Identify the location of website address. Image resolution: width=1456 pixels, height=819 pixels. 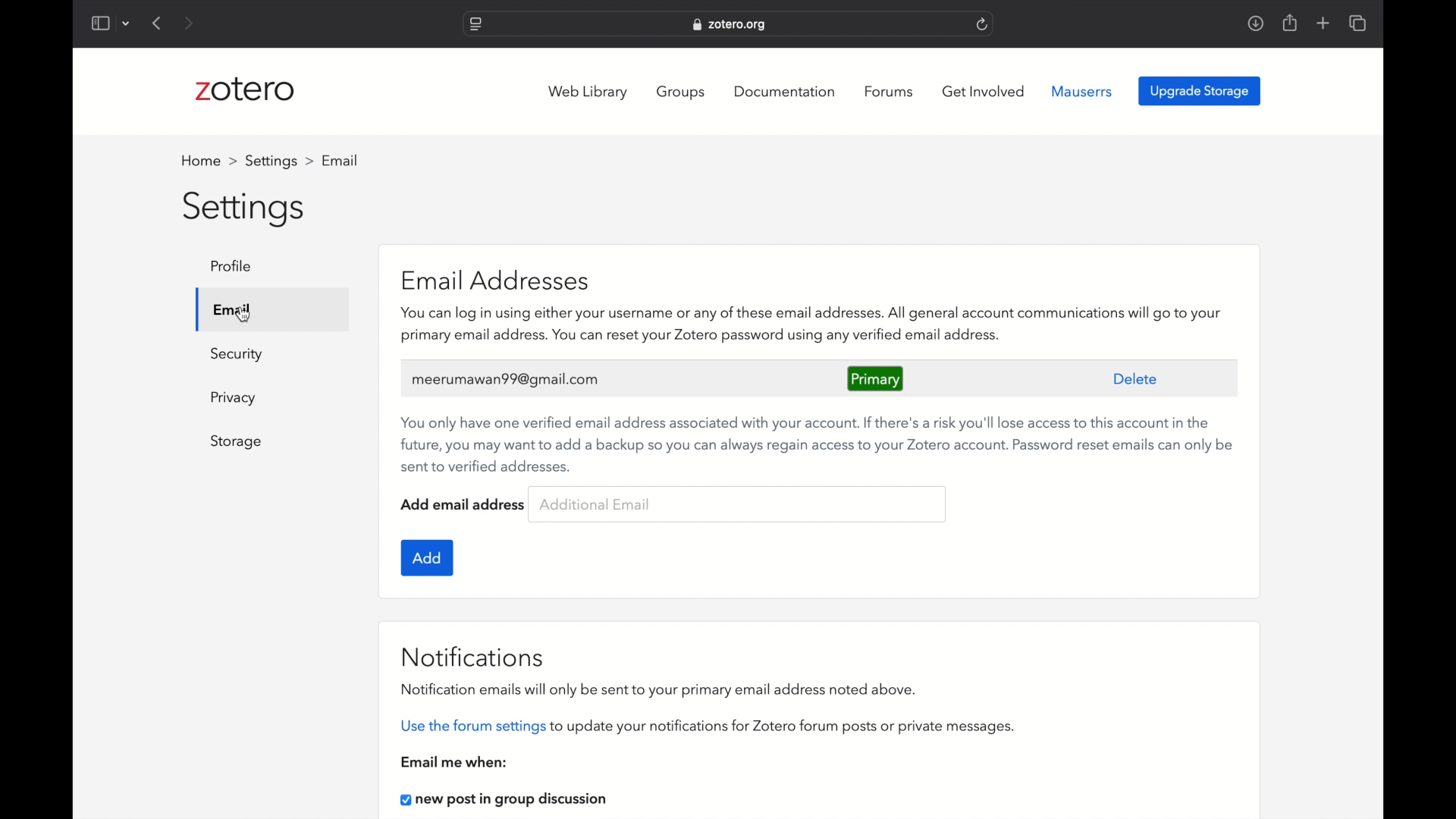
(730, 25).